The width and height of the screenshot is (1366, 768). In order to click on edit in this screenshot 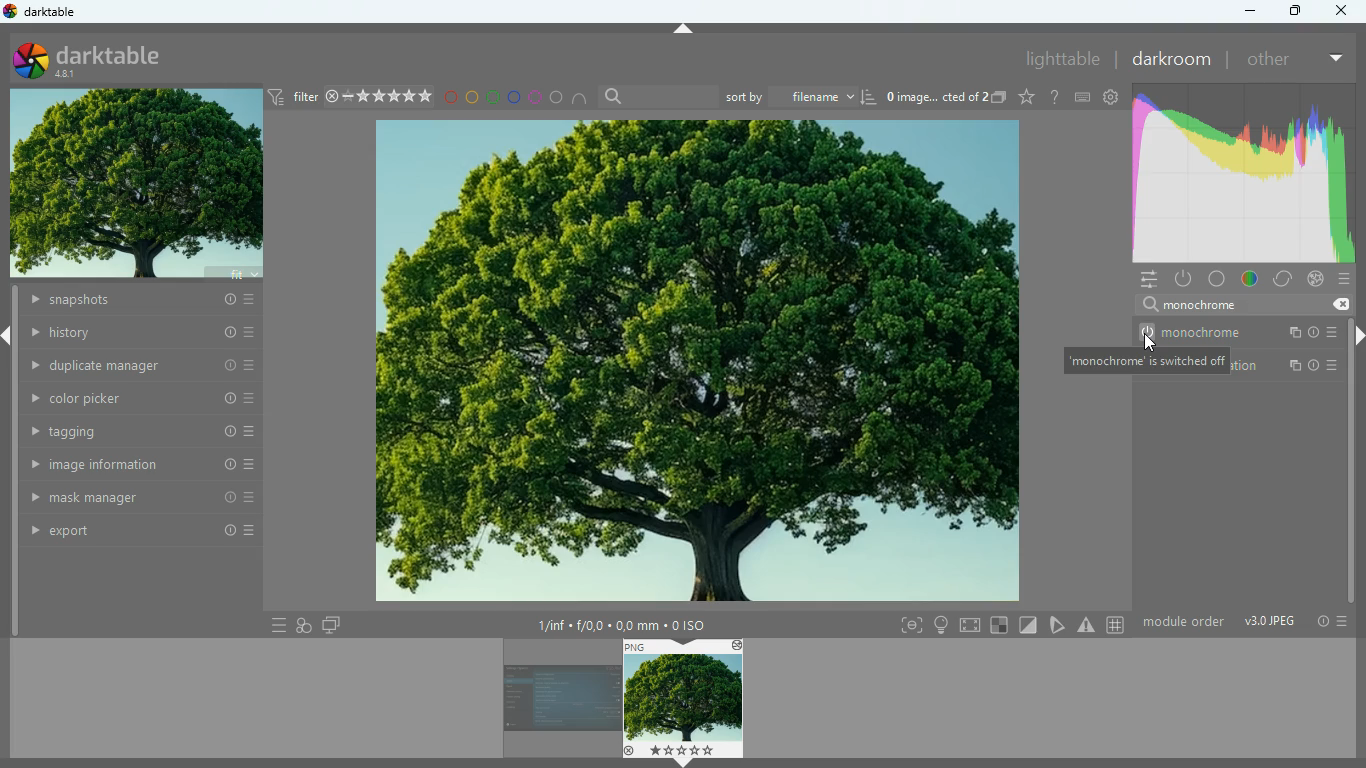, I will do `click(1059, 625)`.